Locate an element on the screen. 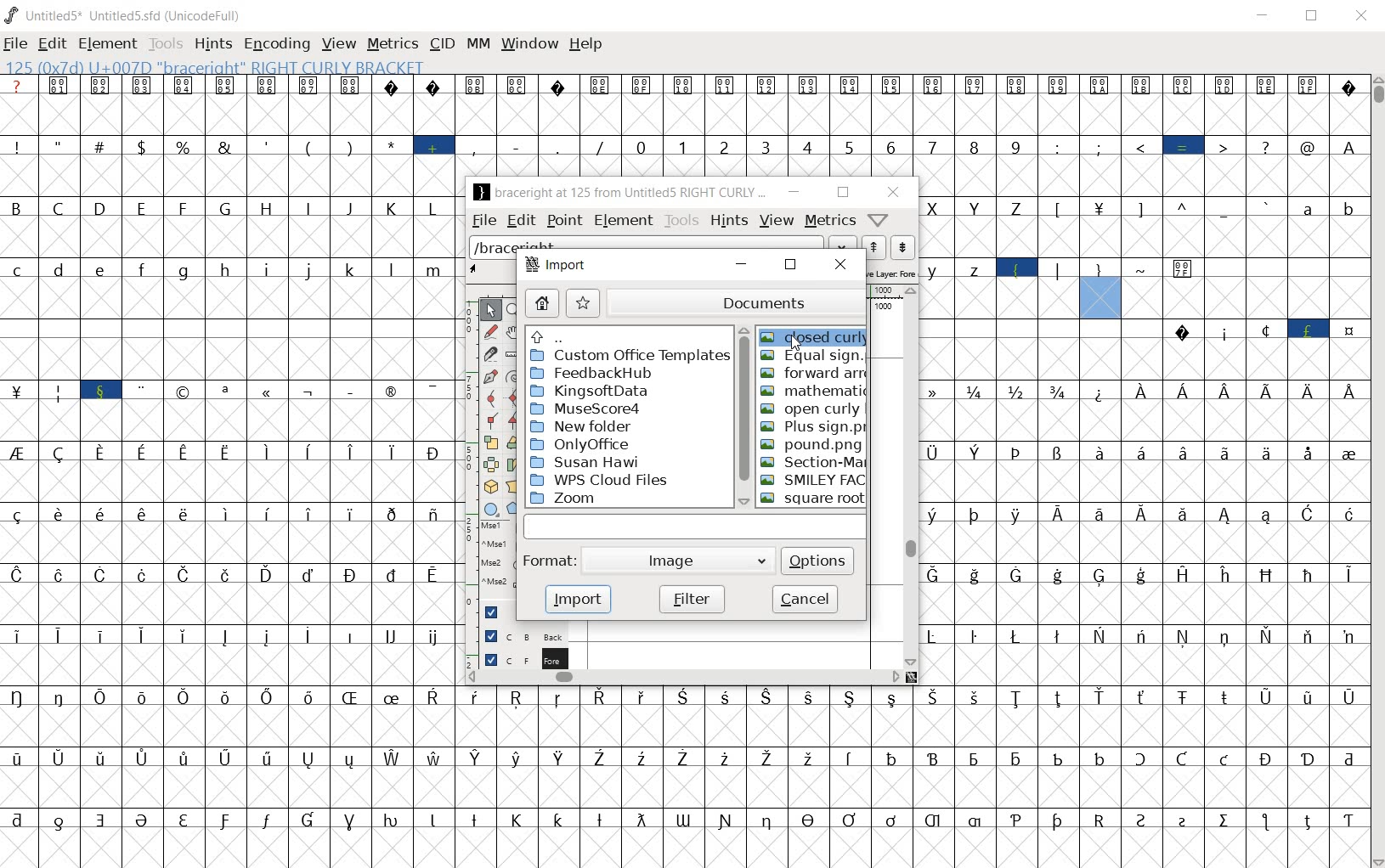 The image size is (1385, 868). glyph characters is located at coordinates (1144, 502).